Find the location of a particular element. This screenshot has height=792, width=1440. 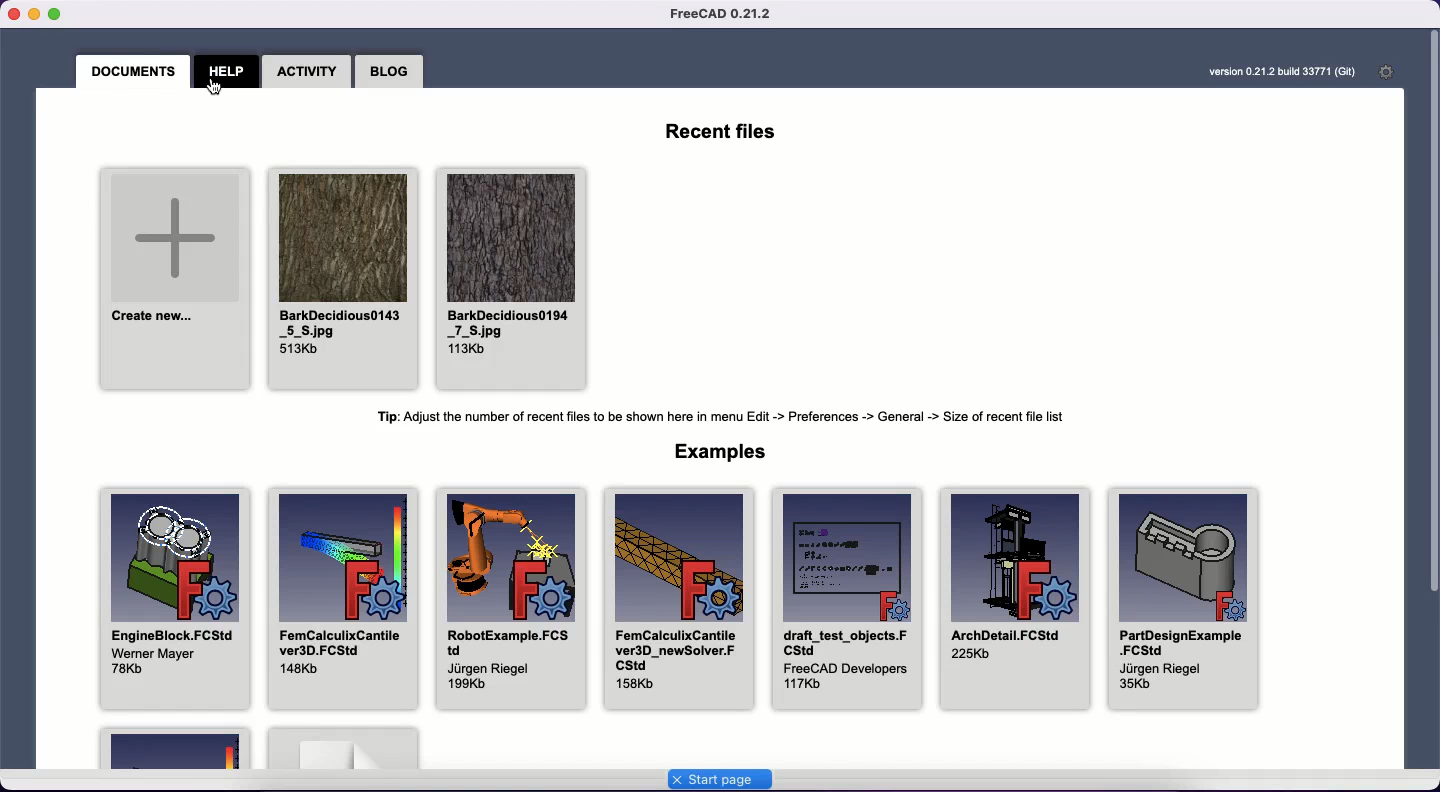

PartDesignExample.FCStd is located at coordinates (1185, 599).